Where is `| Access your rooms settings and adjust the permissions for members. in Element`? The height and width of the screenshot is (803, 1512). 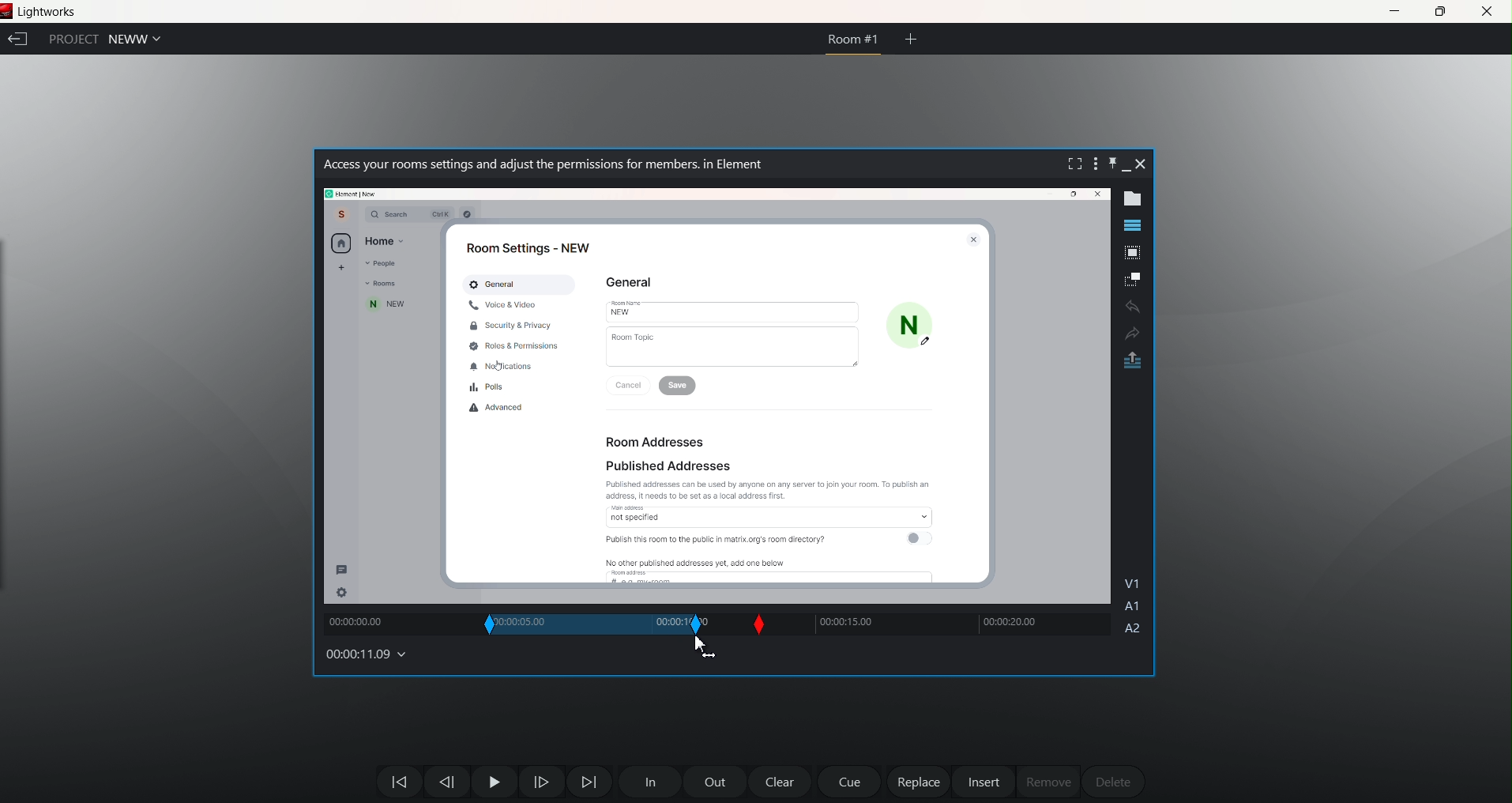
| Access your rooms settings and adjust the permissions for members. in Element is located at coordinates (576, 166).